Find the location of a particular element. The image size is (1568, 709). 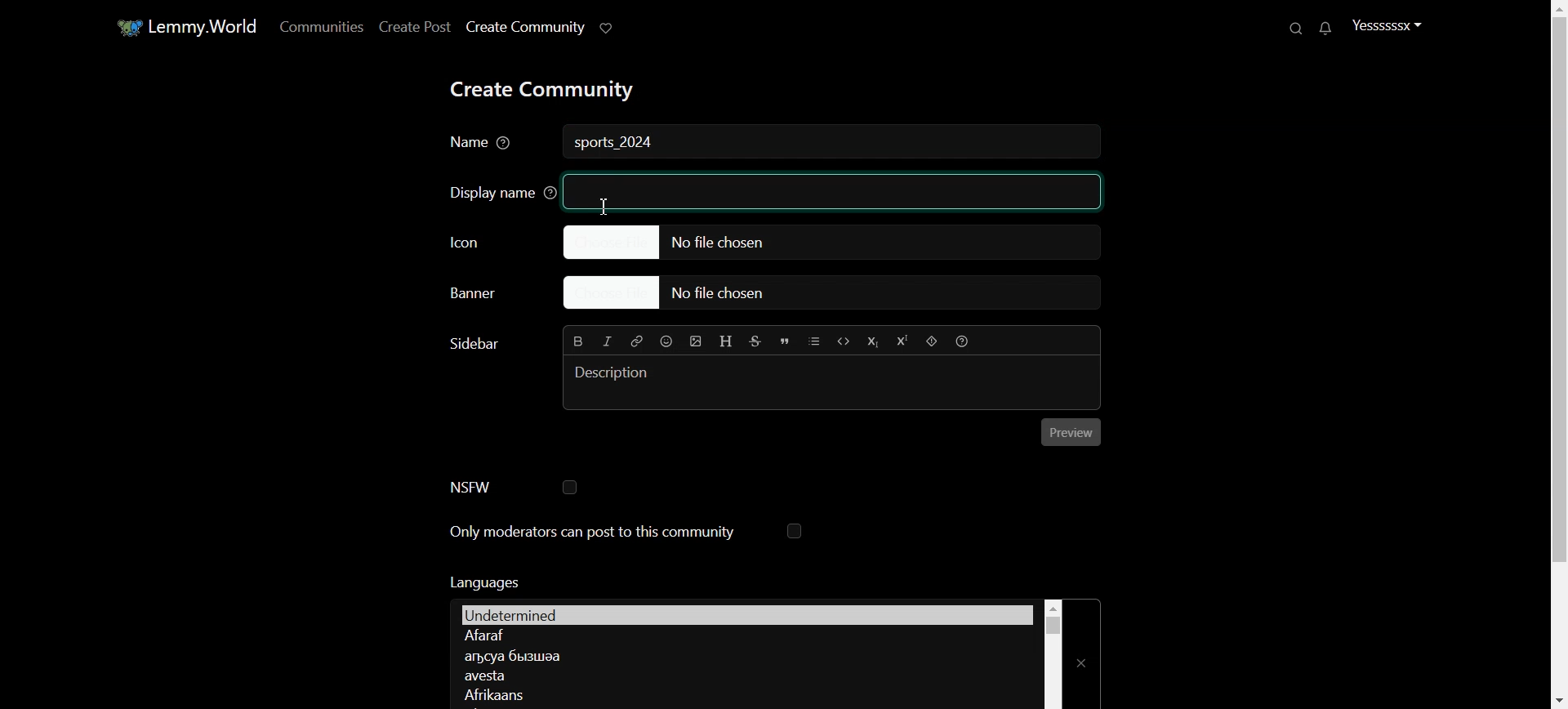

Create Post is located at coordinates (413, 26).